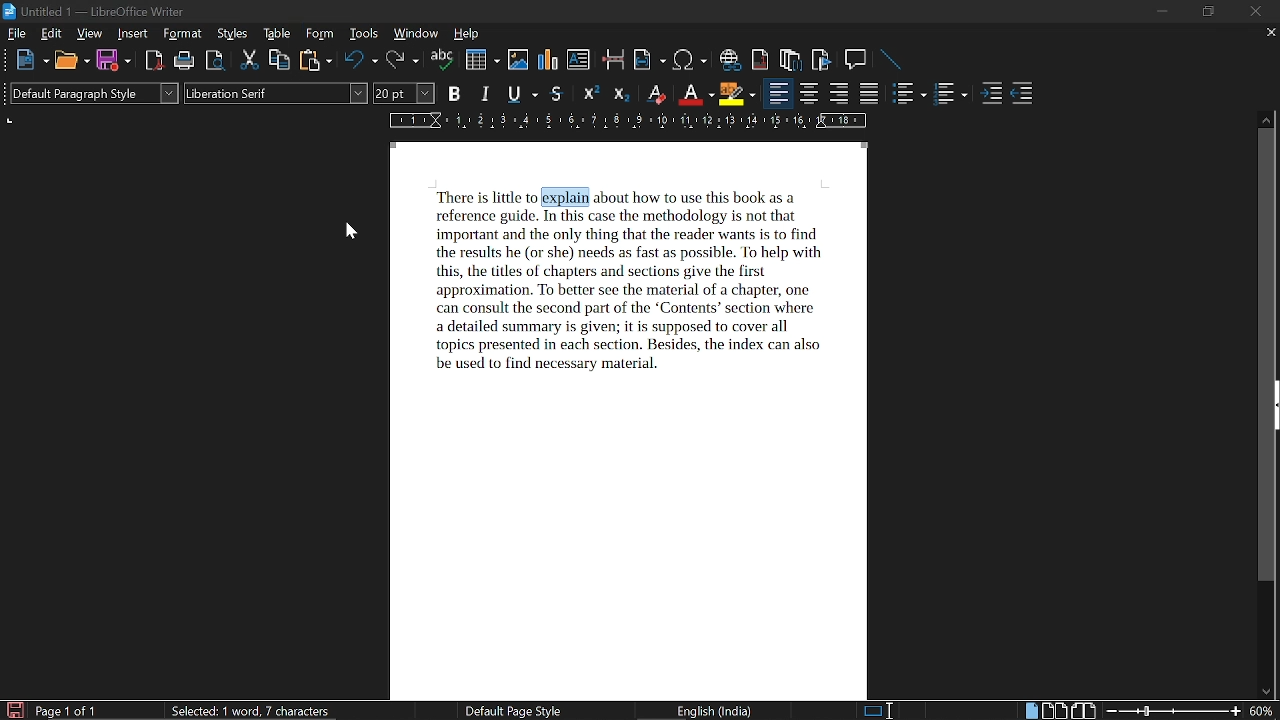  Describe the element at coordinates (578, 60) in the screenshot. I see `insert text` at that location.